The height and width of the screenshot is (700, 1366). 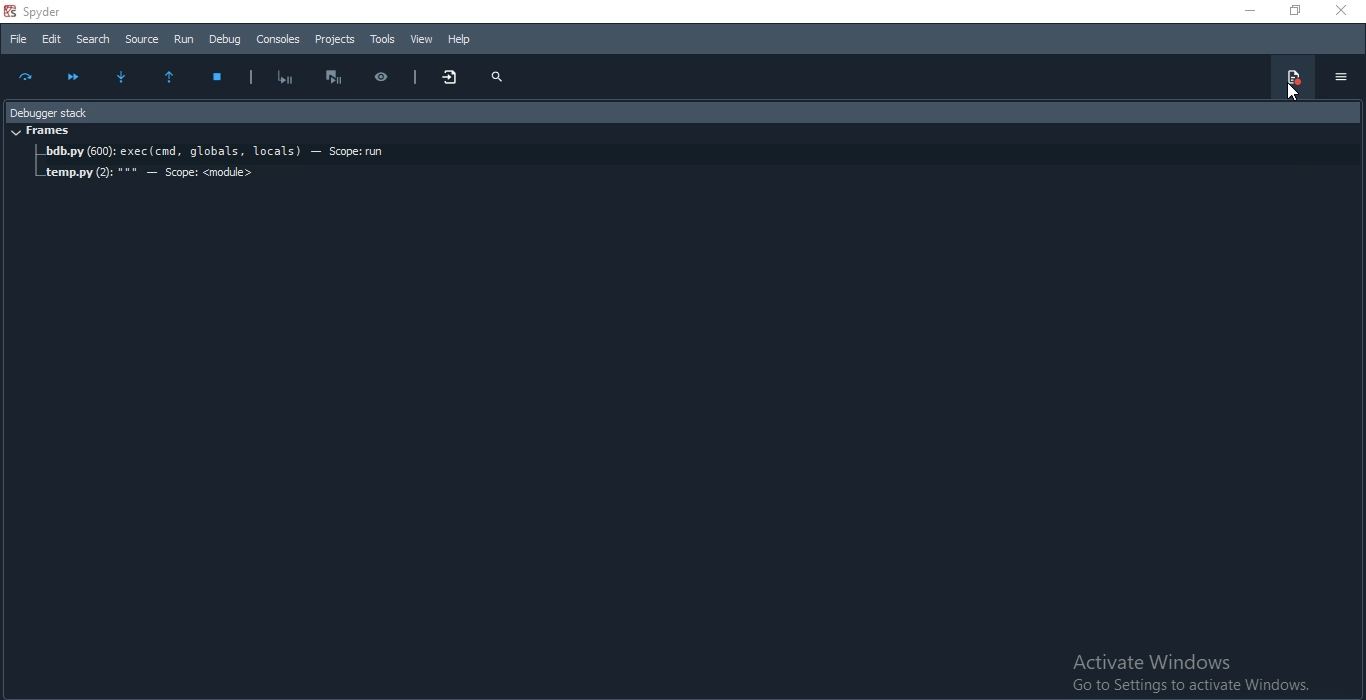 I want to click on File , so click(x=17, y=40).